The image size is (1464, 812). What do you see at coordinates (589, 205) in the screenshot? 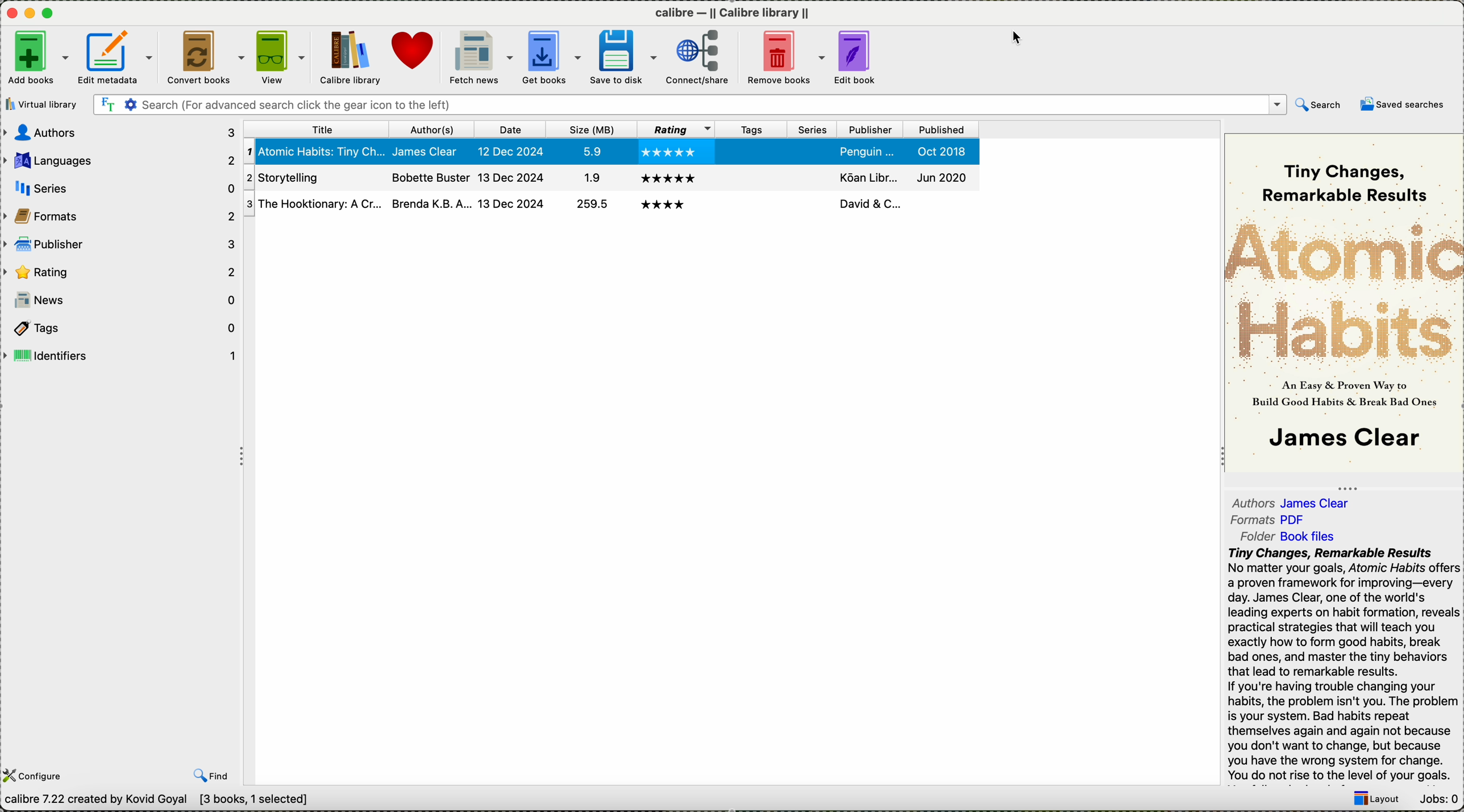
I see `1.9` at bounding box center [589, 205].